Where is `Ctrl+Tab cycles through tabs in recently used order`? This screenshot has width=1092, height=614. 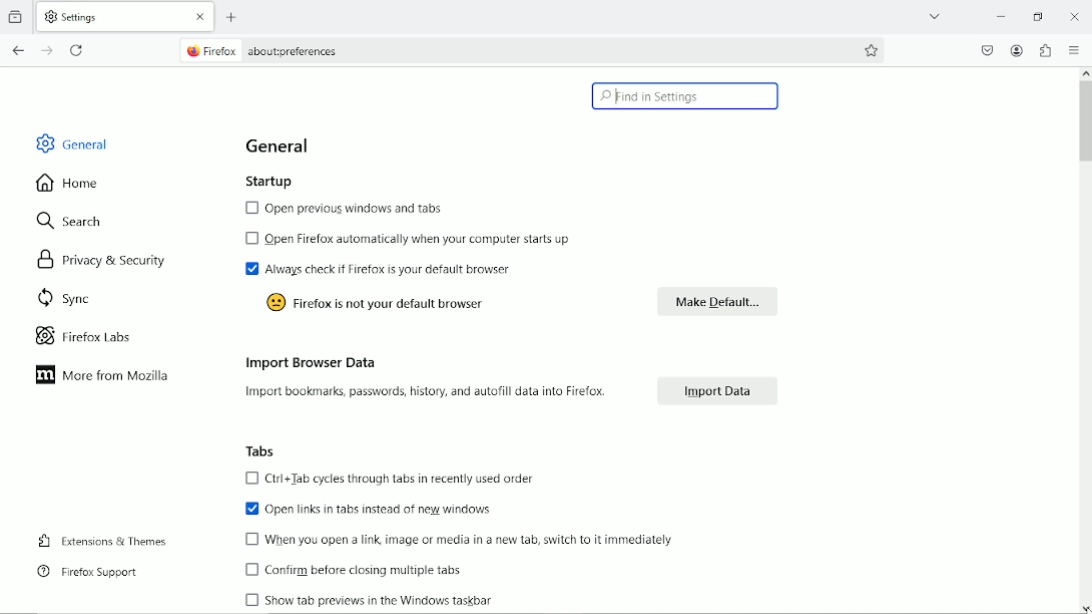
Ctrl+Tab cycles through tabs in recently used order is located at coordinates (394, 479).